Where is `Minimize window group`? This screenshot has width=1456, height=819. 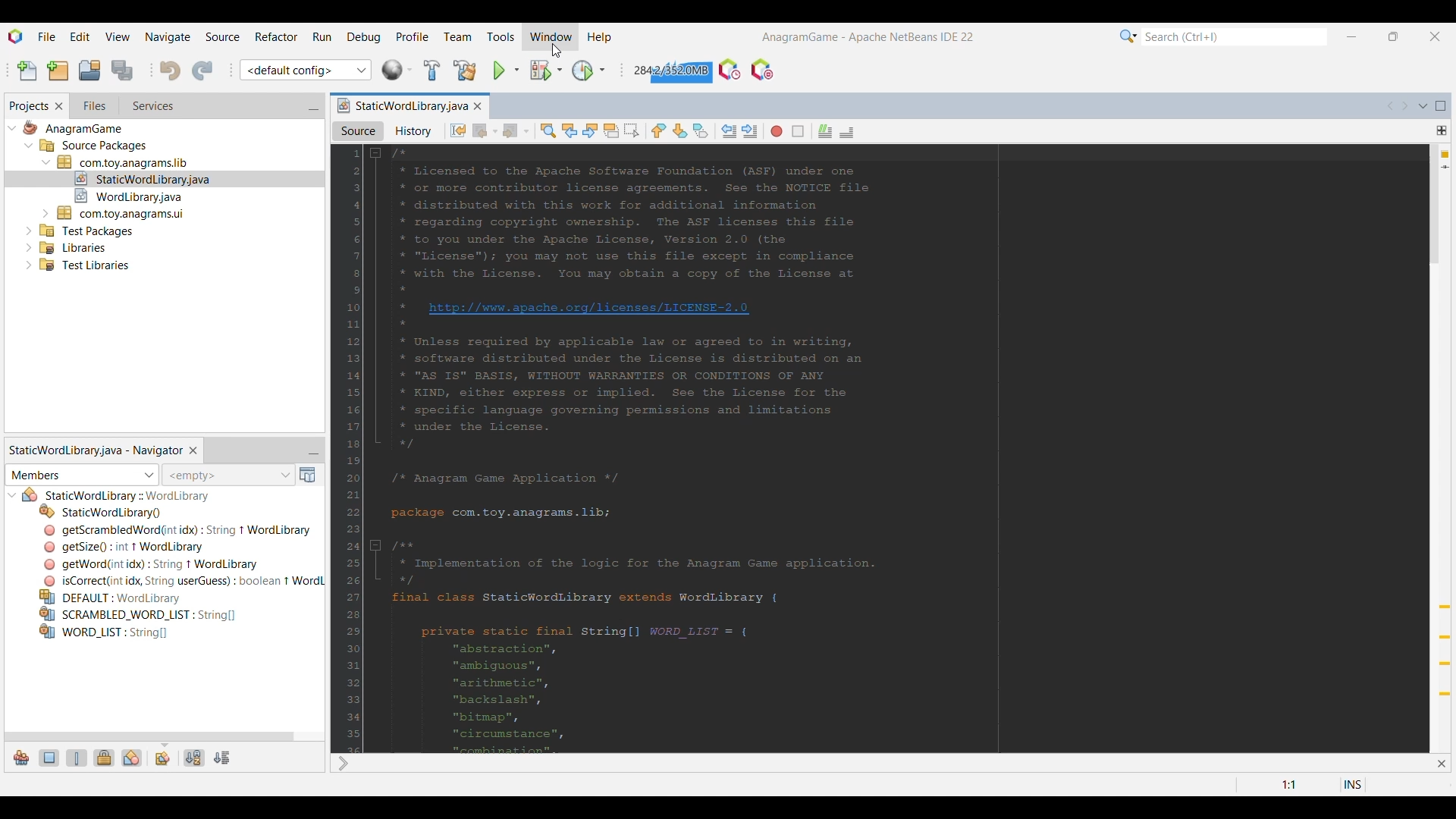 Minimize window group is located at coordinates (313, 107).